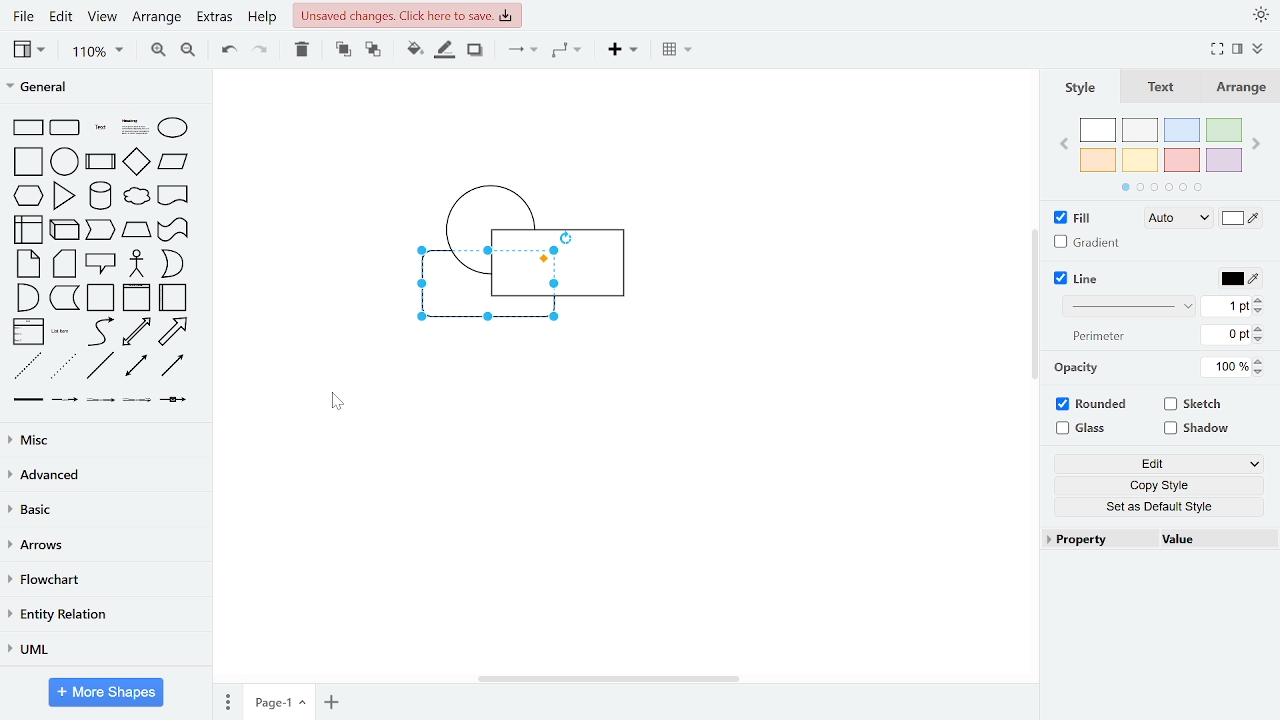 The height and width of the screenshot is (720, 1280). I want to click on format, so click(1240, 48).